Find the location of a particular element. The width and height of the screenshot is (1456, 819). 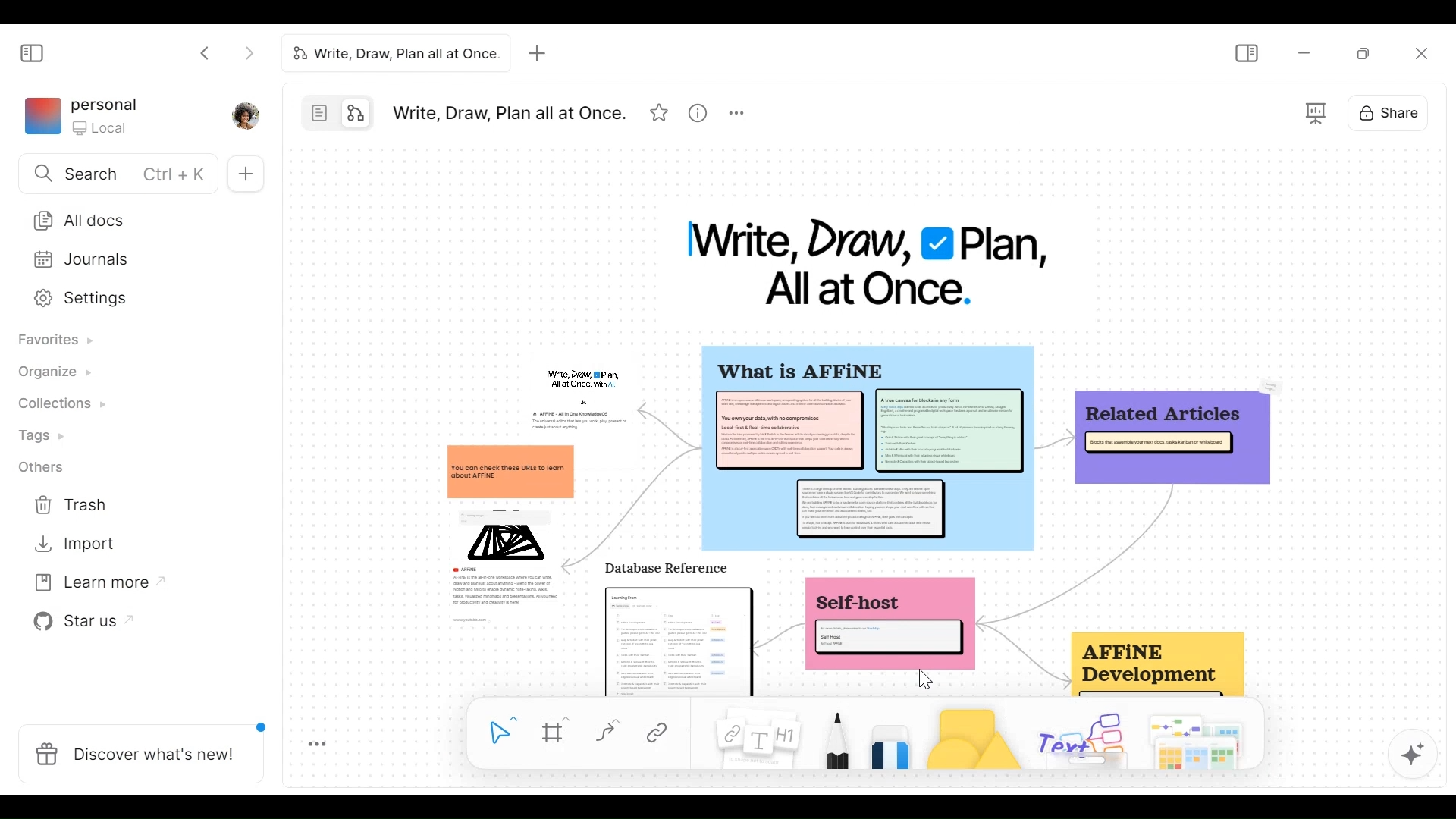

Curve is located at coordinates (607, 734).